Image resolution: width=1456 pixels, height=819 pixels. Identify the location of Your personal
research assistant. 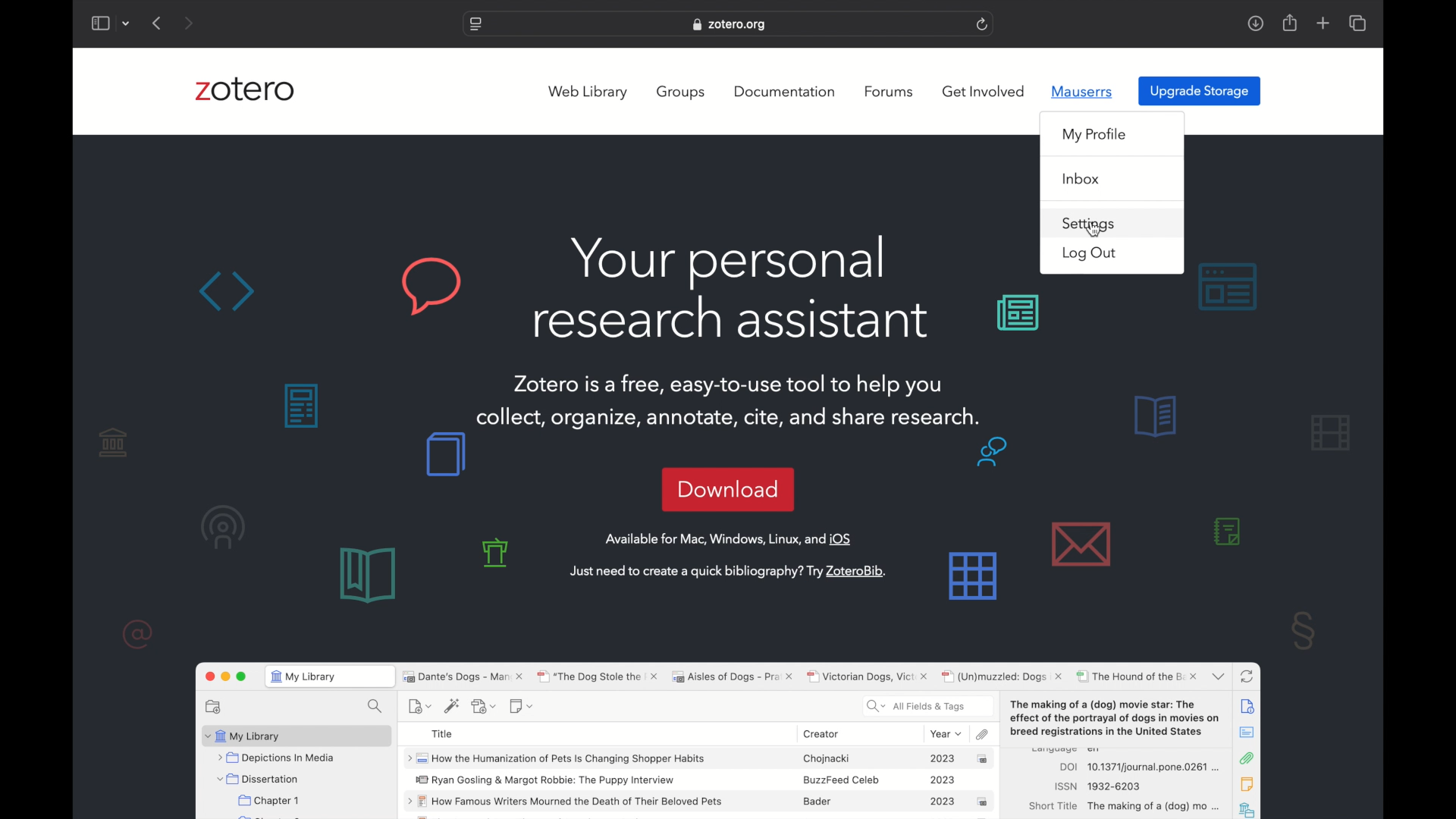
(731, 290).